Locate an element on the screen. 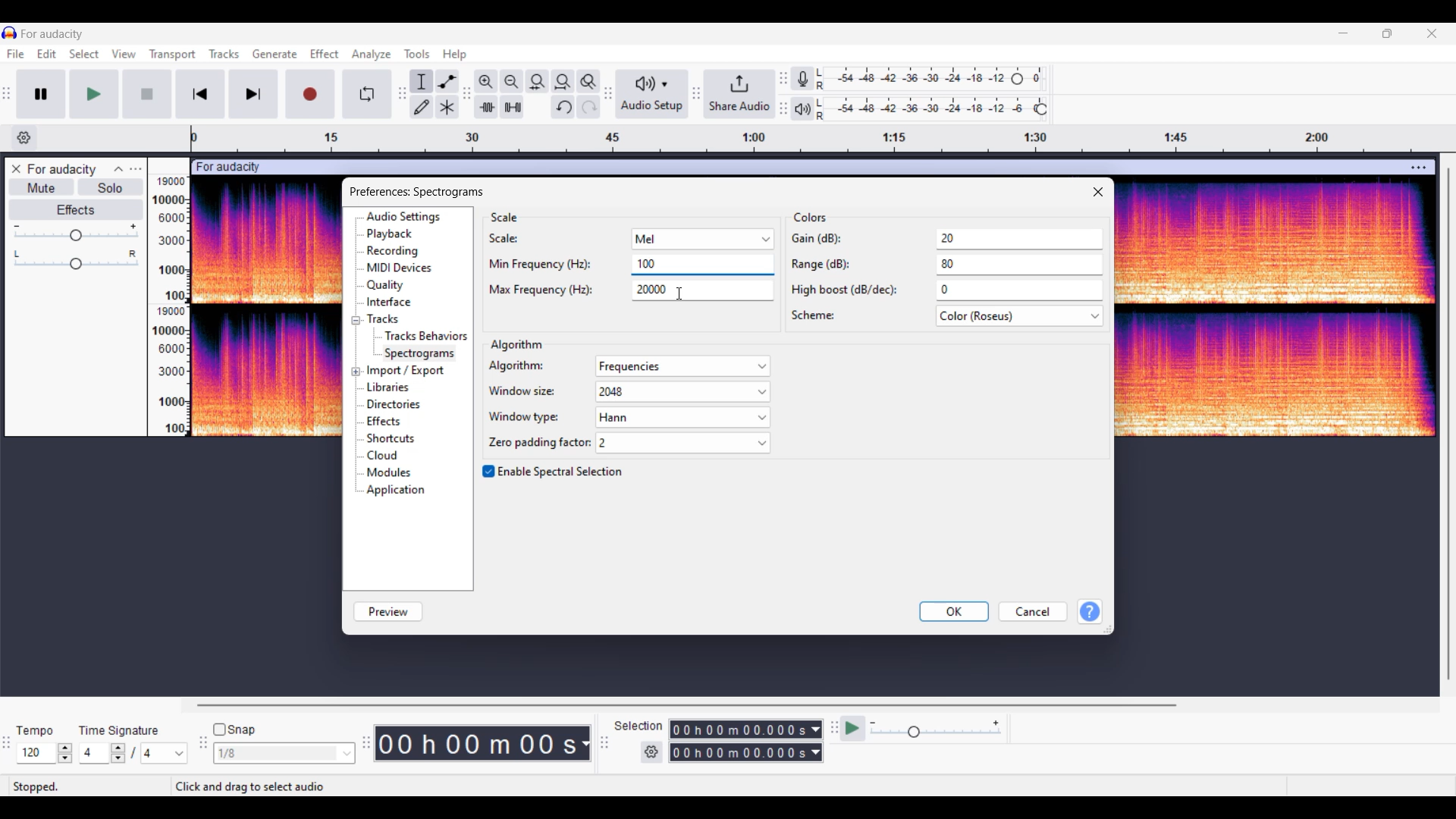 The height and width of the screenshot is (819, 1456). Snap options is located at coordinates (284, 753).